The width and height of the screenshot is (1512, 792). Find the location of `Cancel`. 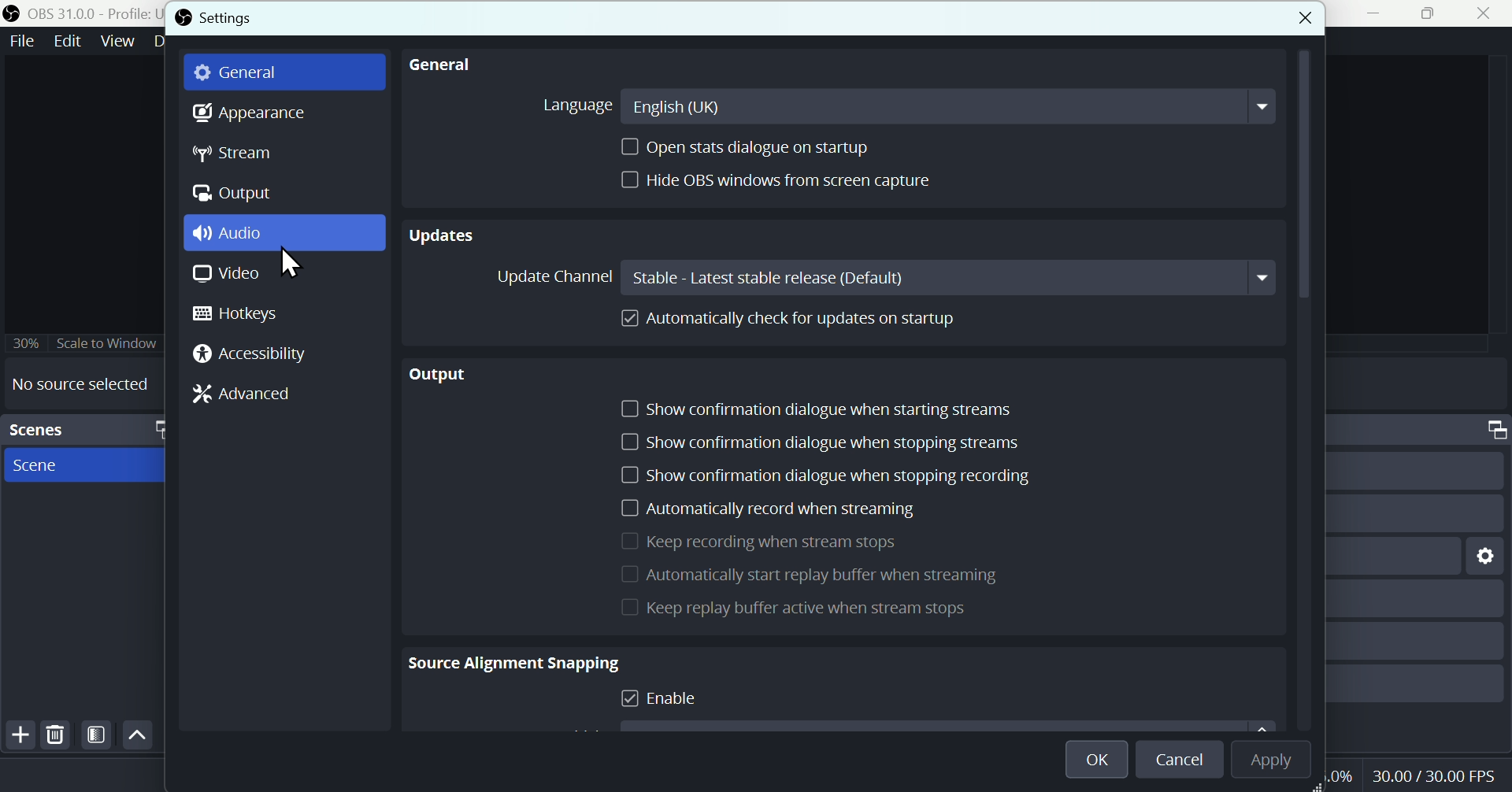

Cancel is located at coordinates (1179, 761).